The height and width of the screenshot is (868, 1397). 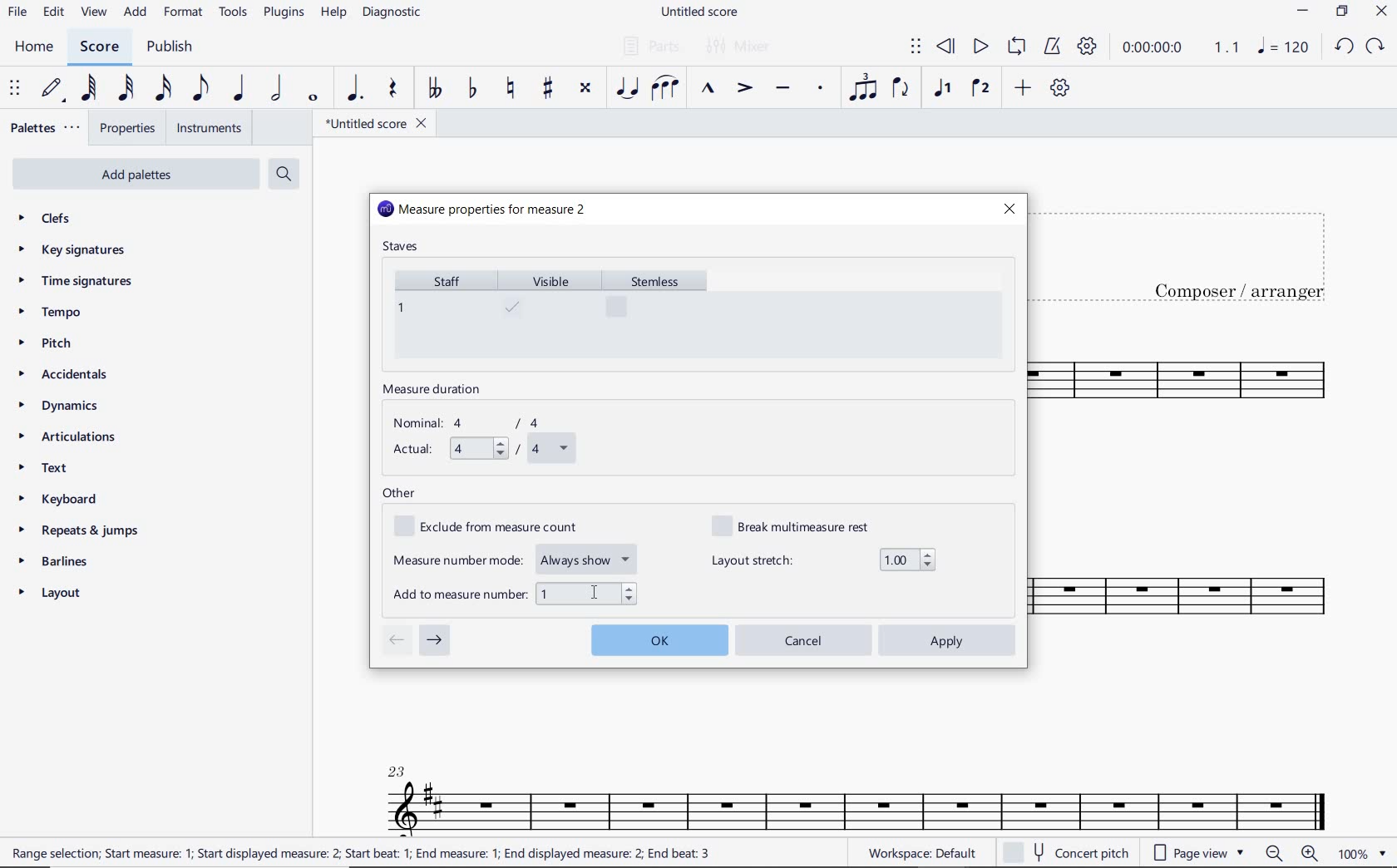 I want to click on ADD PALETTES, so click(x=134, y=173).